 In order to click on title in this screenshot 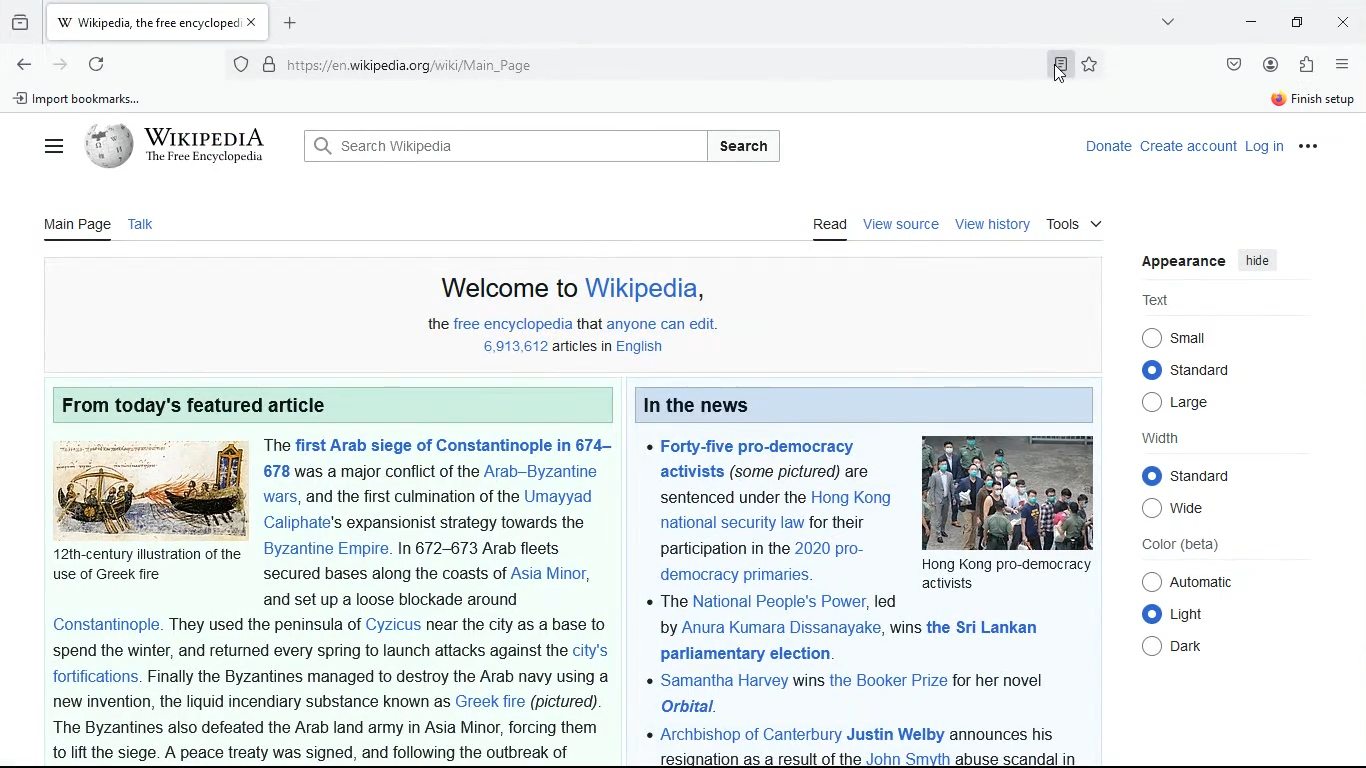, I will do `click(199, 401)`.